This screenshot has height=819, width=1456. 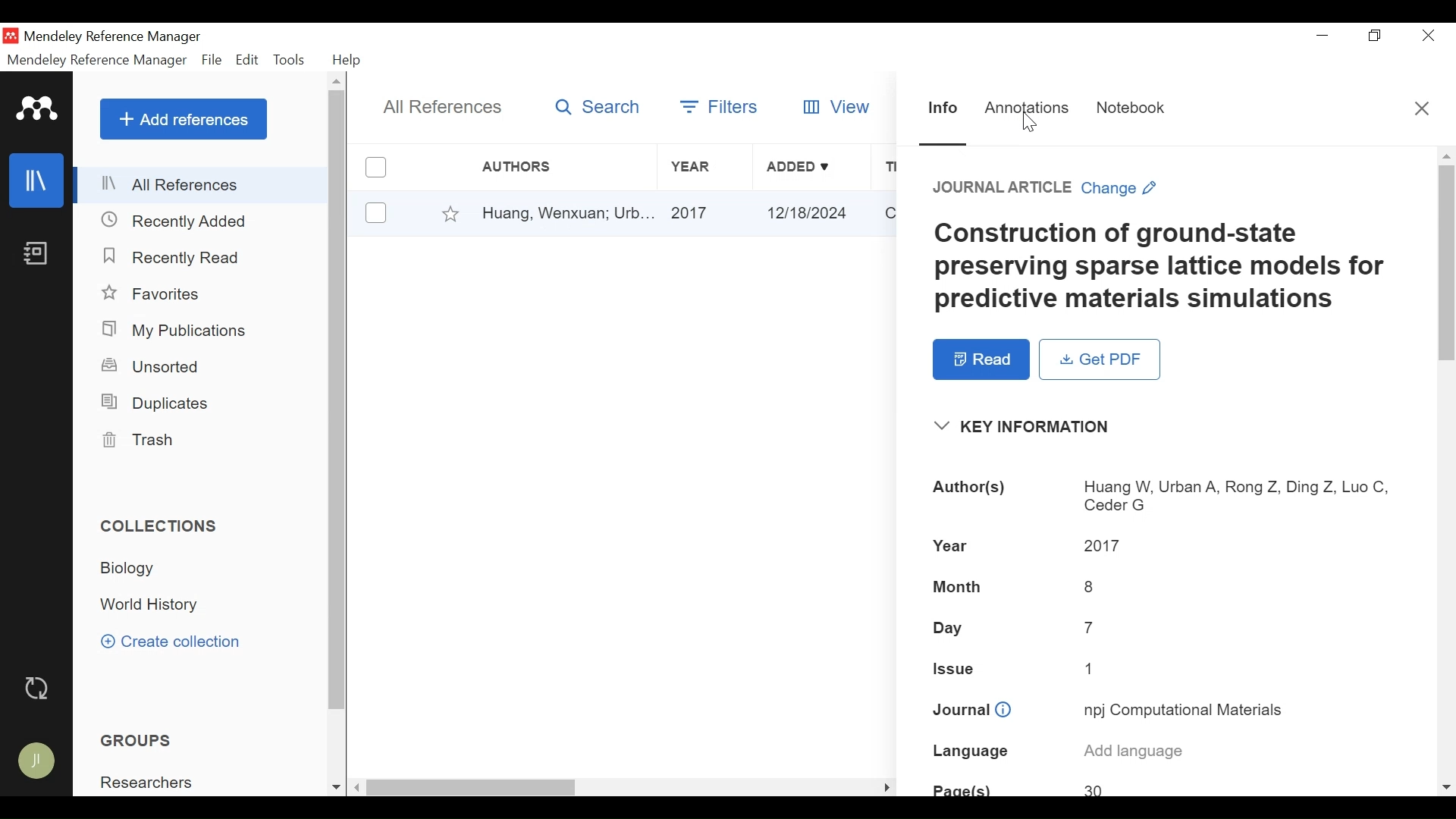 What do you see at coordinates (175, 221) in the screenshot?
I see `Recently Added` at bounding box center [175, 221].